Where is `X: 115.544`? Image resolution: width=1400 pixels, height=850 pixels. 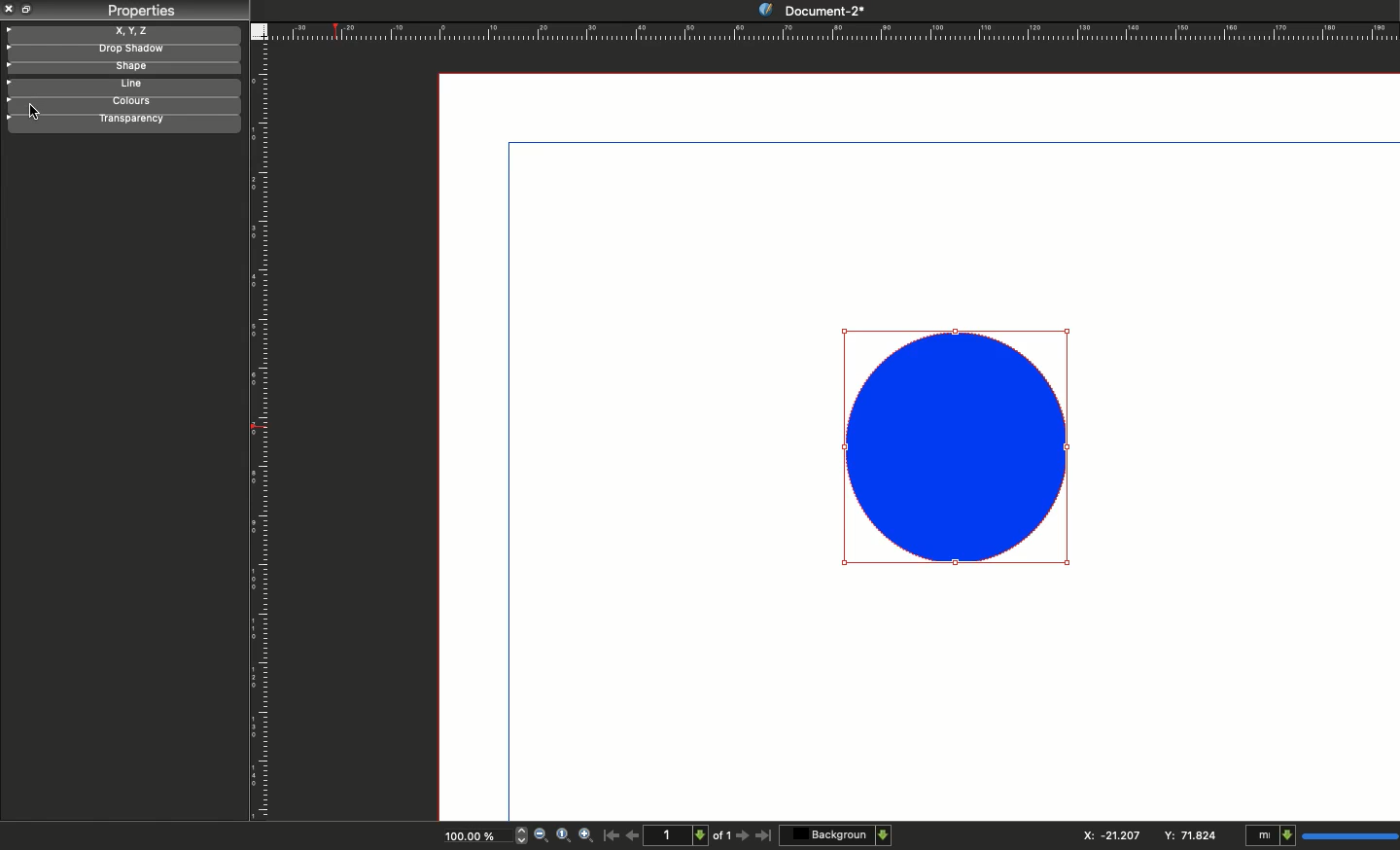
X: 115.544 is located at coordinates (1105, 835).